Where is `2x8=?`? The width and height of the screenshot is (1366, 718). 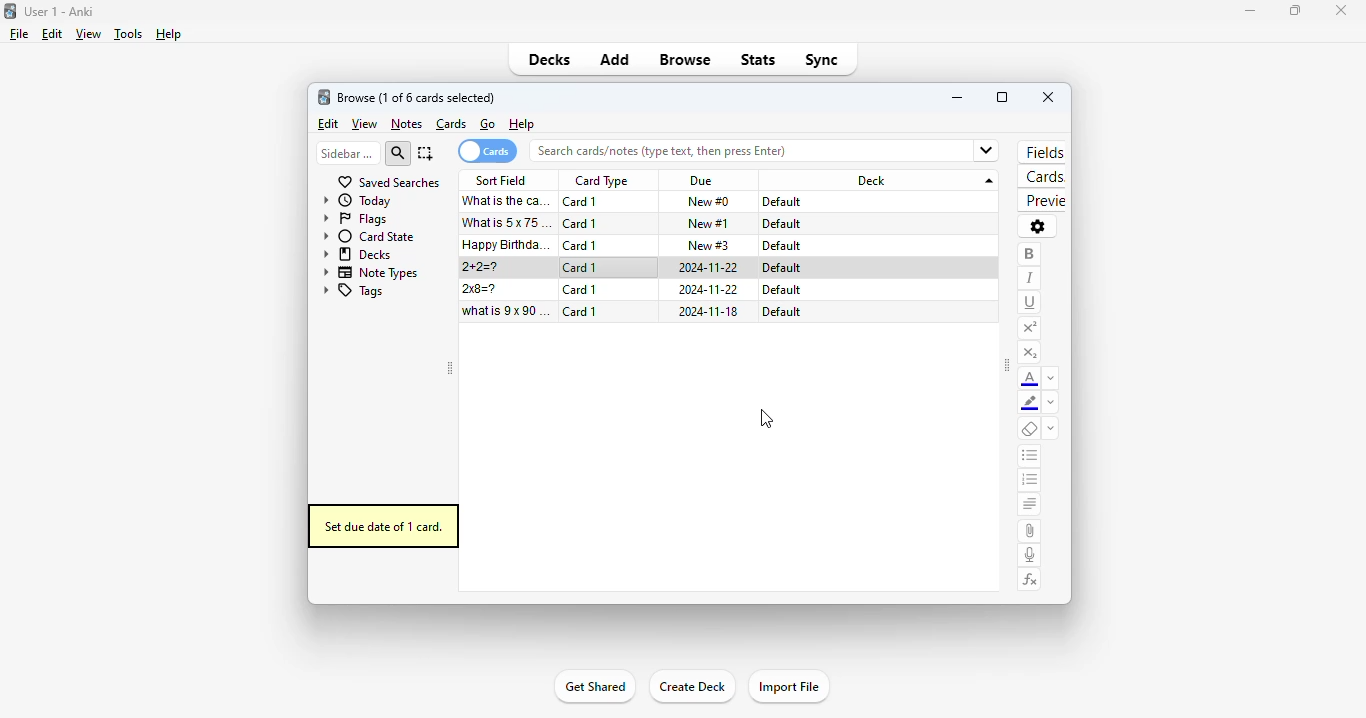
2x8=? is located at coordinates (482, 289).